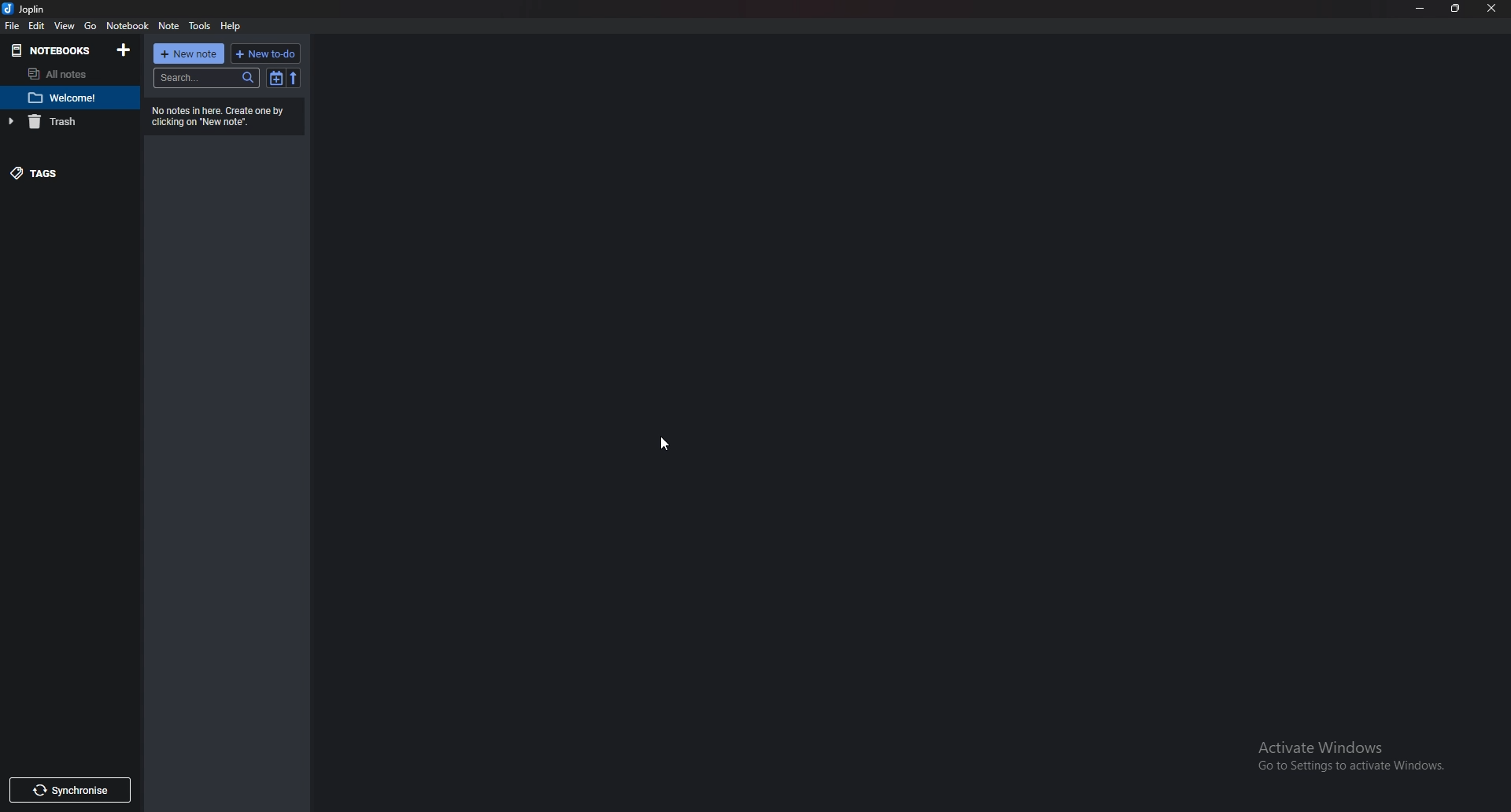 The height and width of the screenshot is (812, 1511). What do you see at coordinates (25, 9) in the screenshot?
I see `joplin` at bounding box center [25, 9].